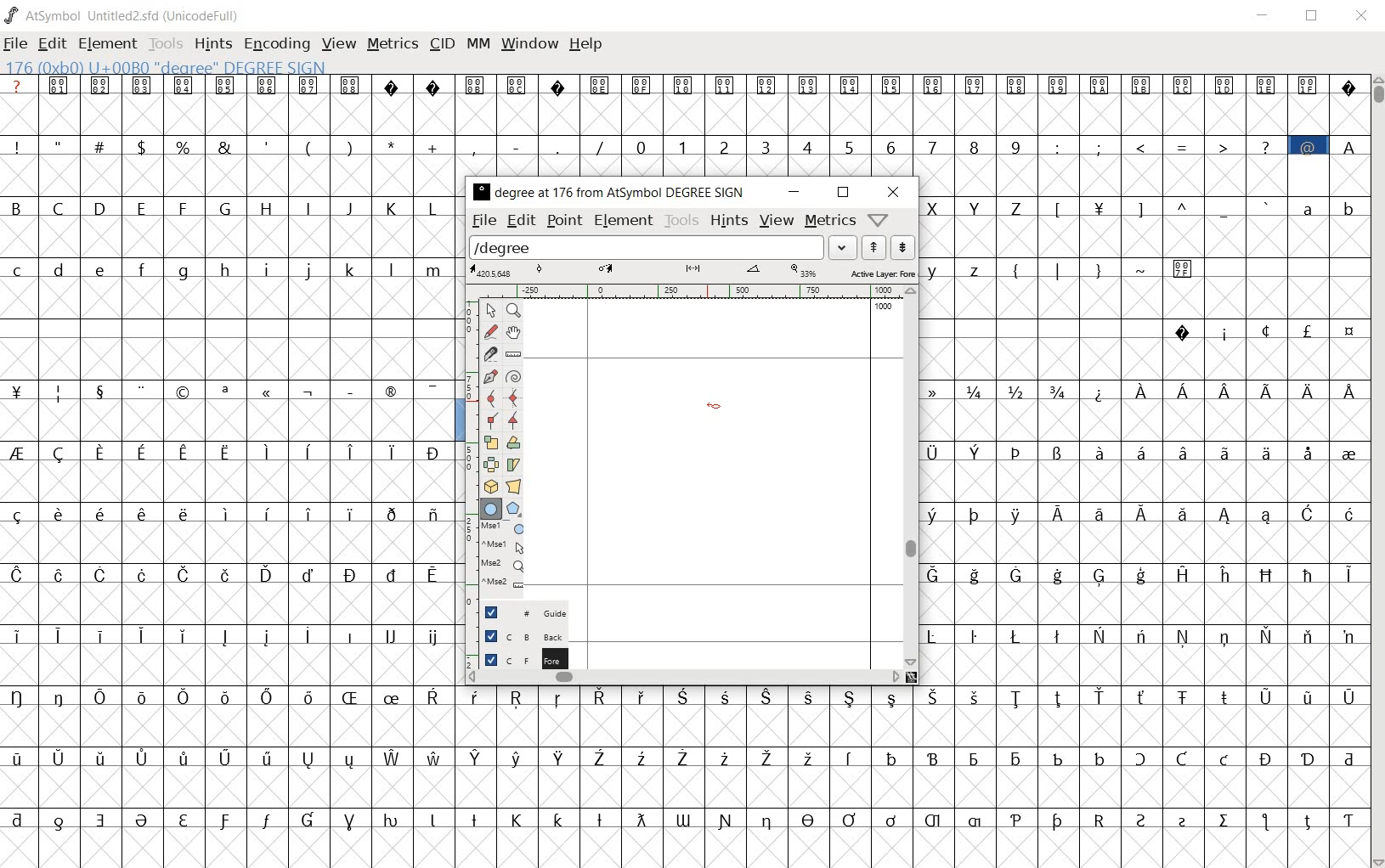  Describe the element at coordinates (512, 335) in the screenshot. I see `scroll by hand` at that location.